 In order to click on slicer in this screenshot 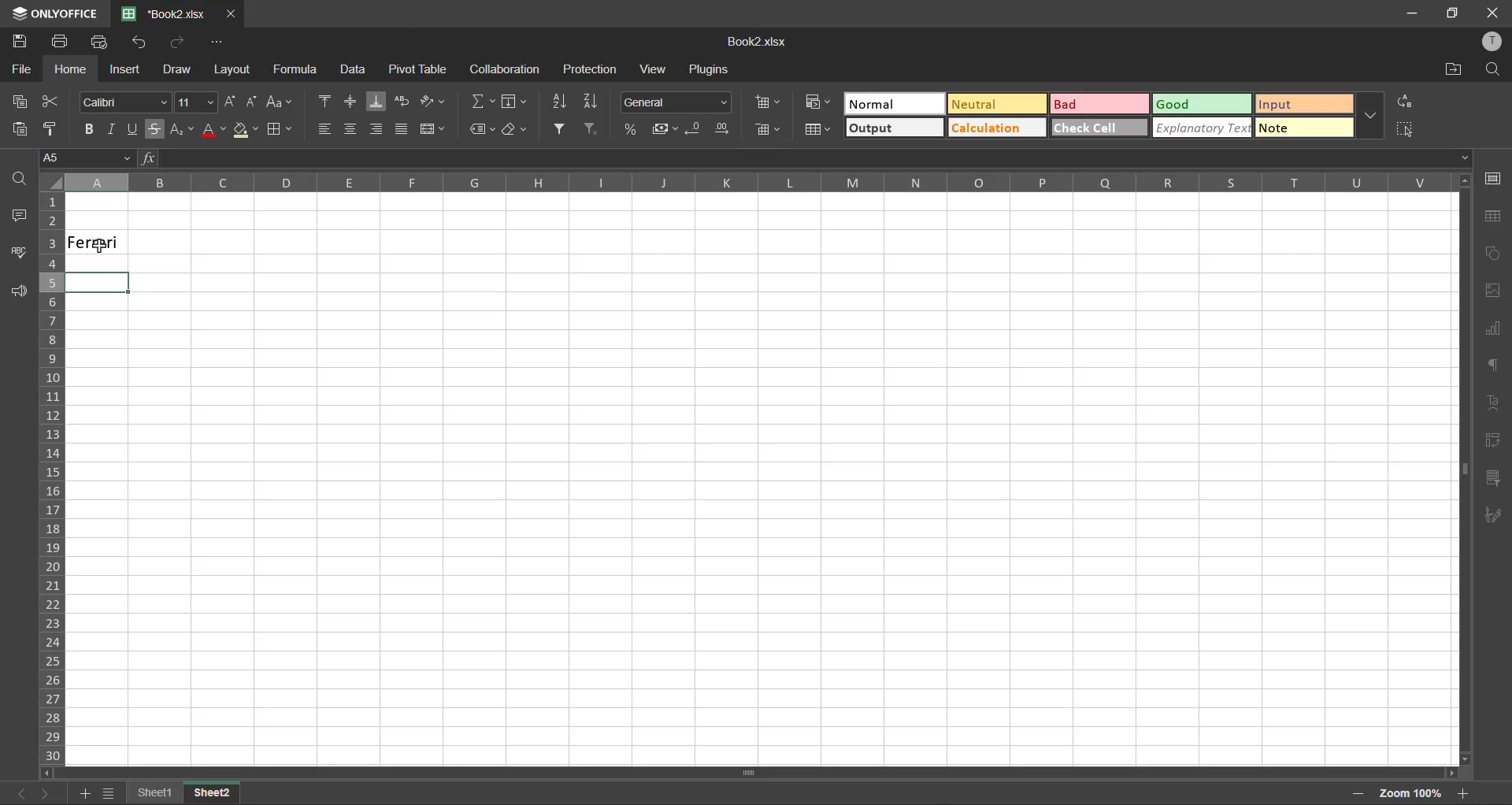, I will do `click(1494, 480)`.